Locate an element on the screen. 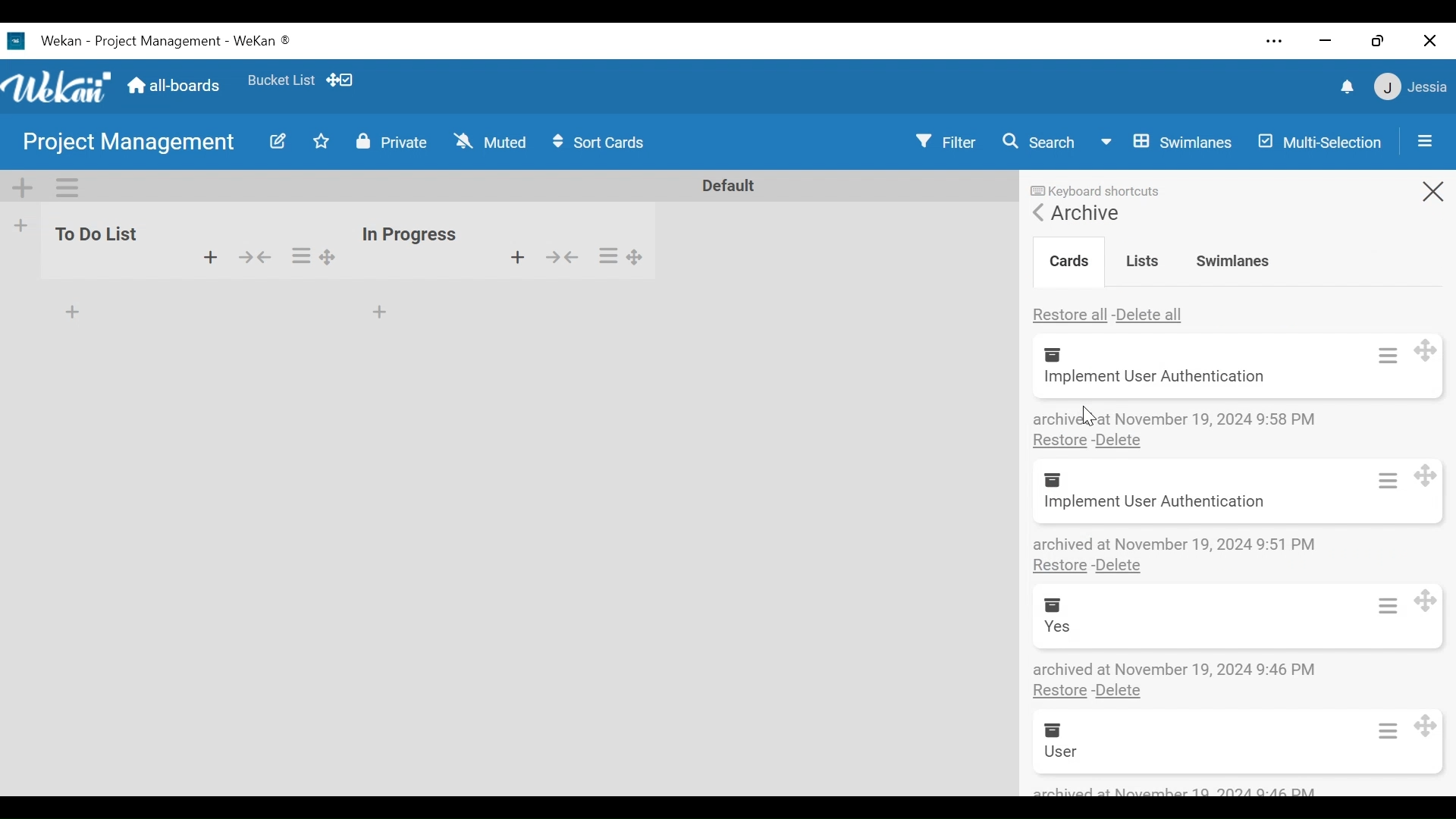  Keyboard shortcuts is located at coordinates (1098, 189).